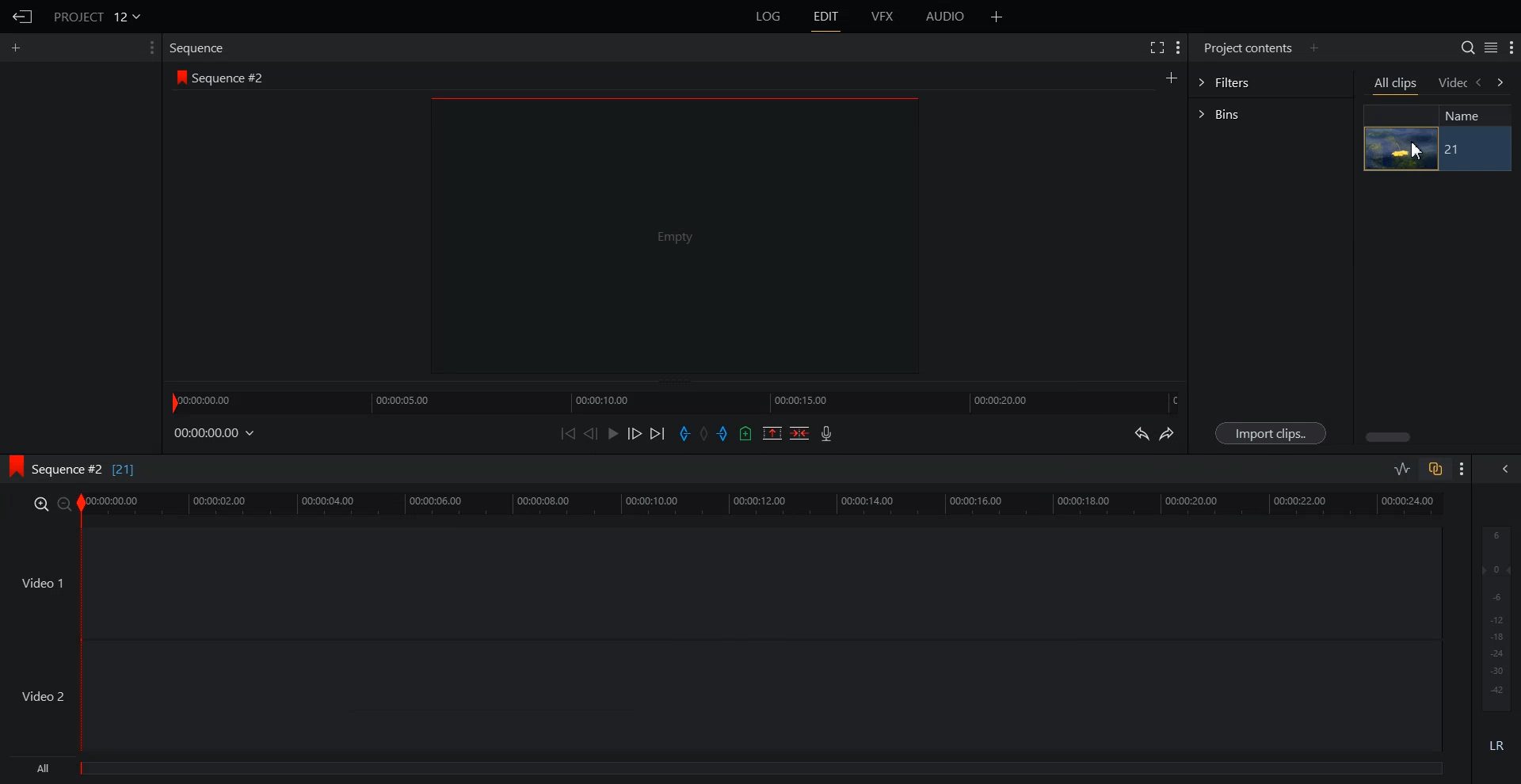  I want to click on Remove the mark section, so click(772, 432).